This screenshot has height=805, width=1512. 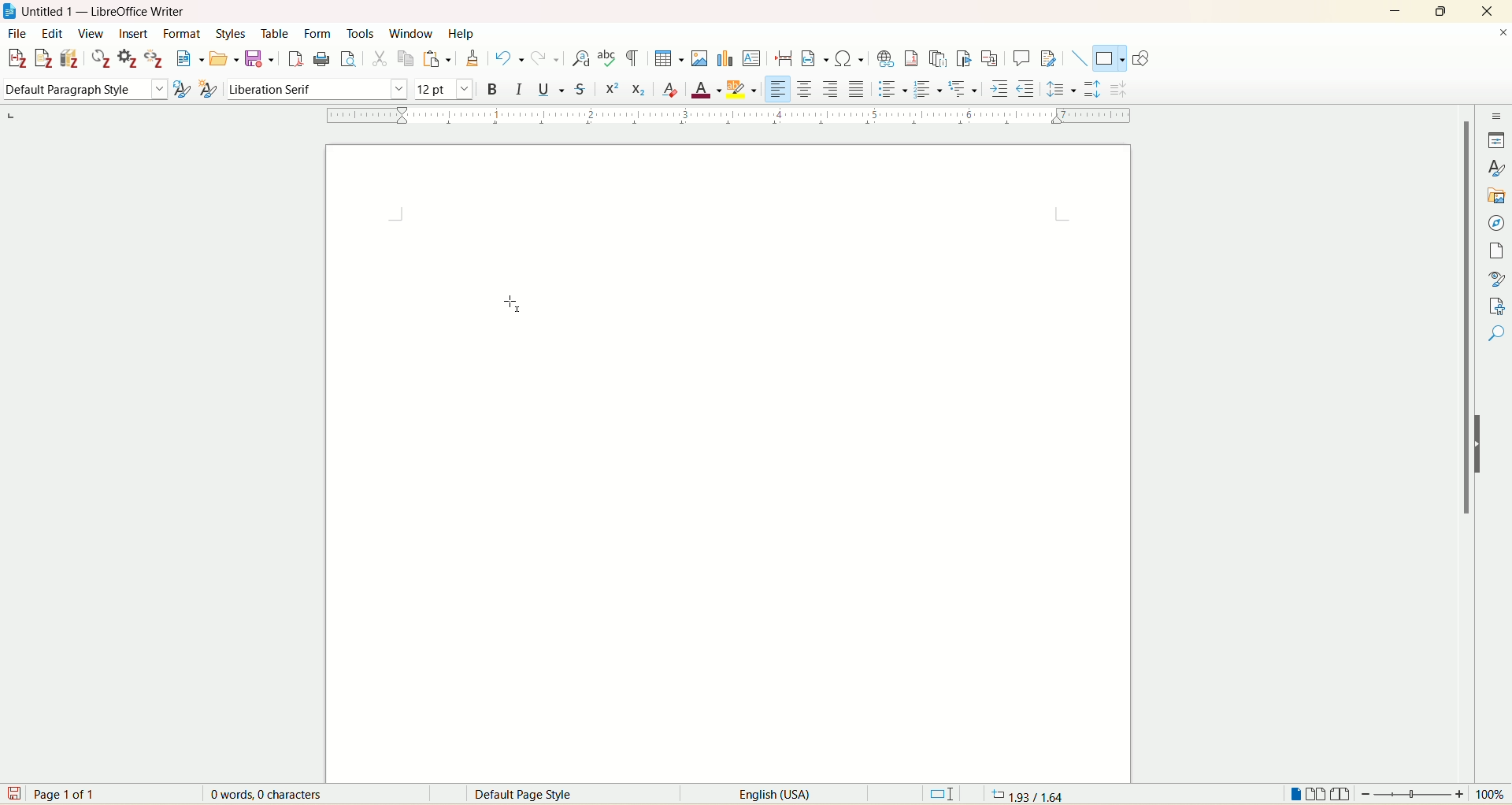 I want to click on set line spacing, so click(x=1062, y=88).